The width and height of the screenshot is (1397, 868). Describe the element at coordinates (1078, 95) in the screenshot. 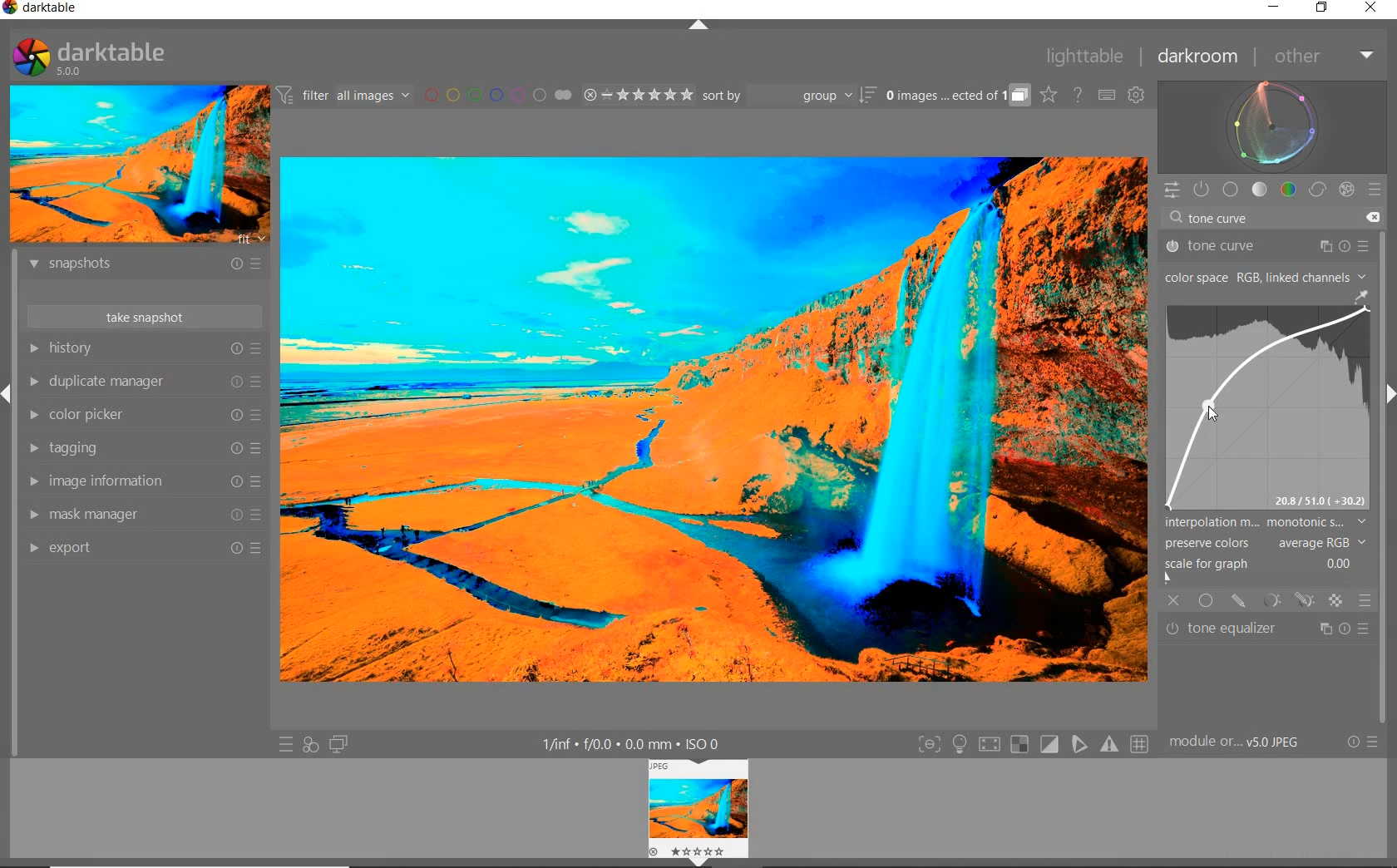

I see `HELP ONLINE` at that location.